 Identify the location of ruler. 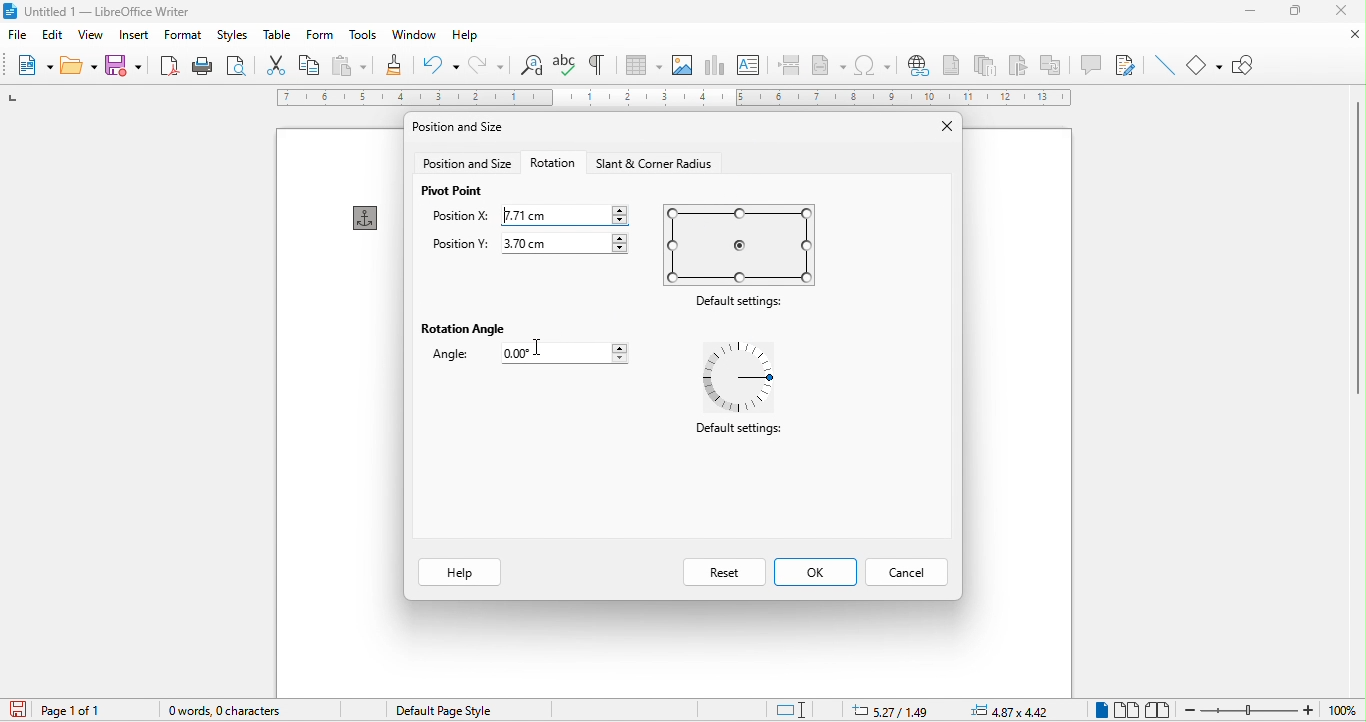
(675, 97).